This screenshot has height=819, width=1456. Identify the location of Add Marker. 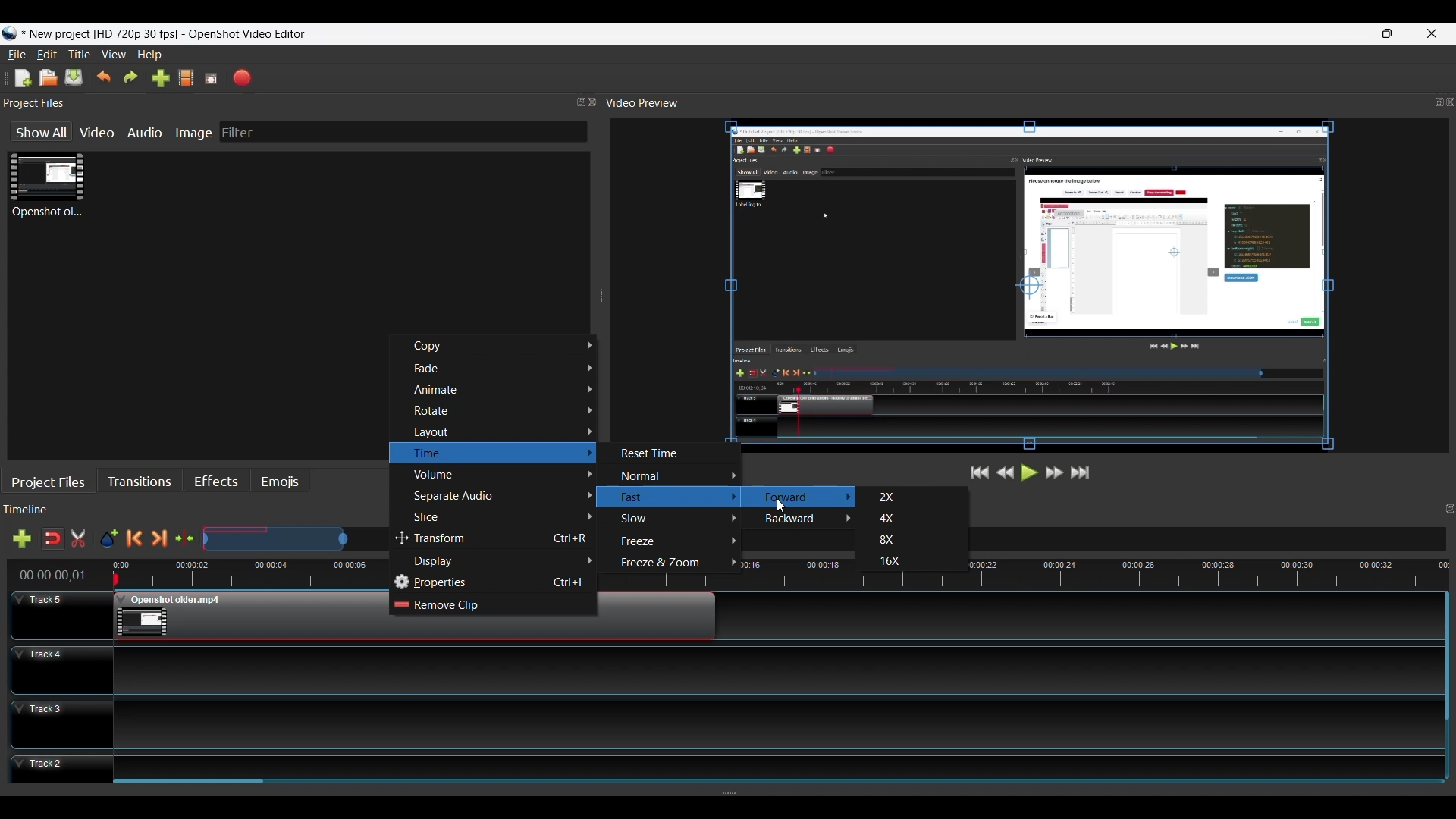
(108, 540).